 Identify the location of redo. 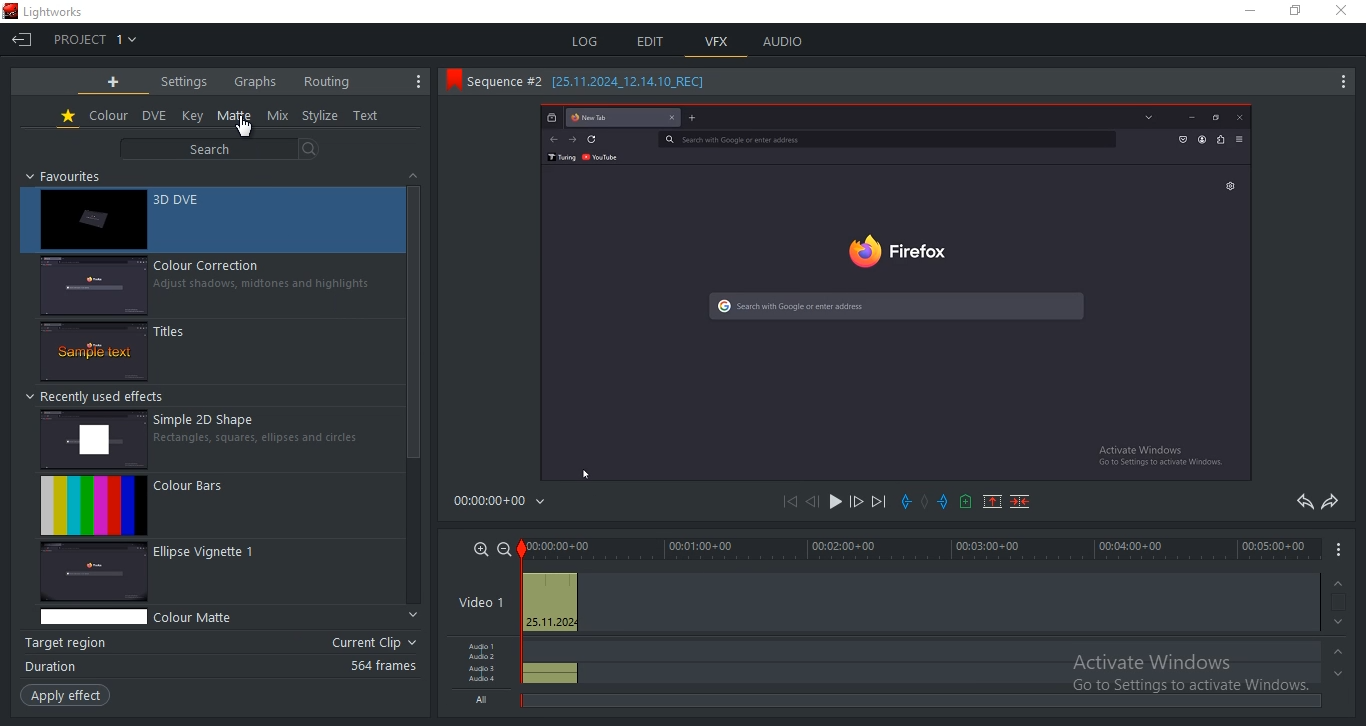
(1331, 501).